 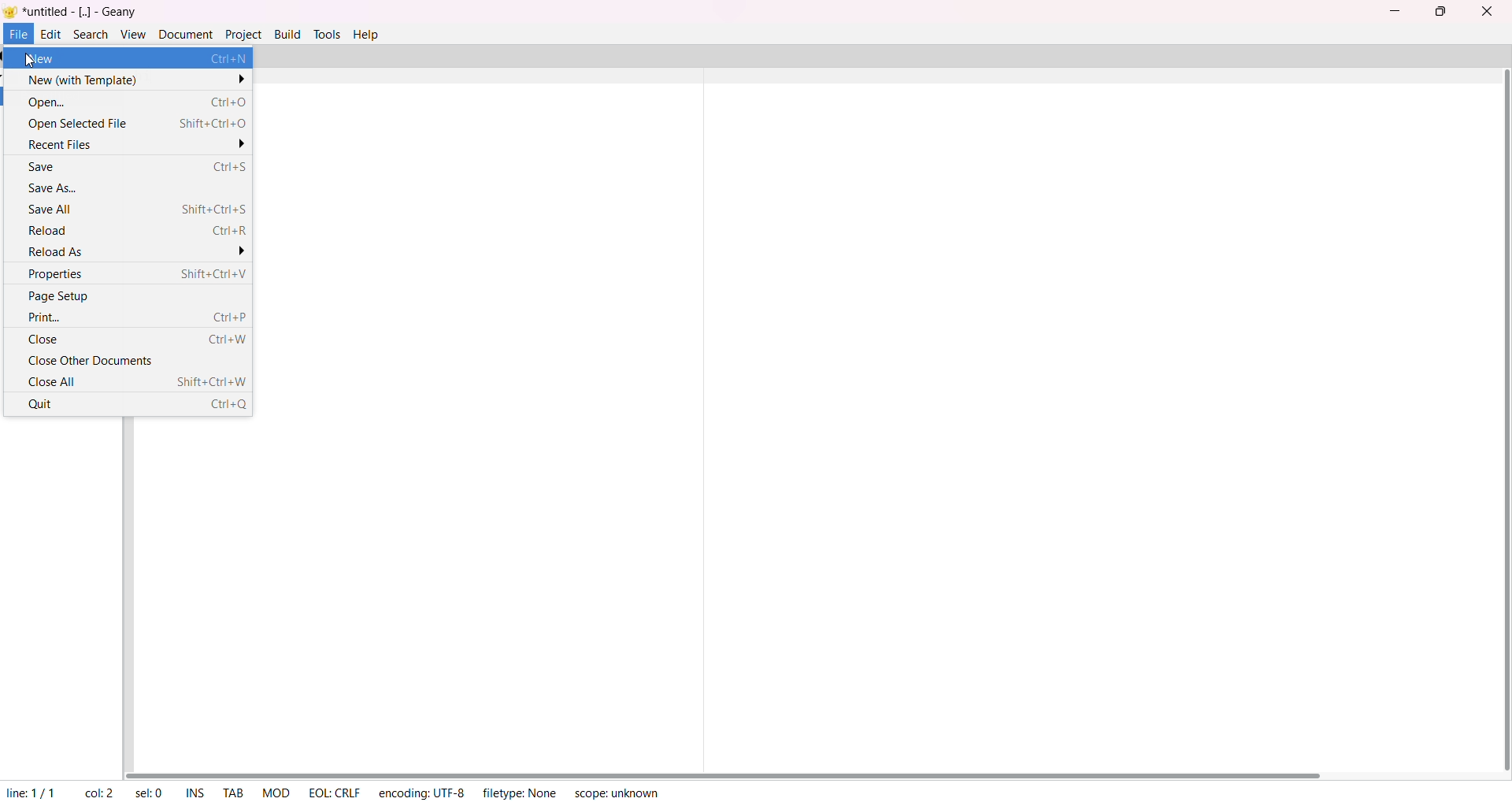 I want to click on filetype: None, so click(x=520, y=793).